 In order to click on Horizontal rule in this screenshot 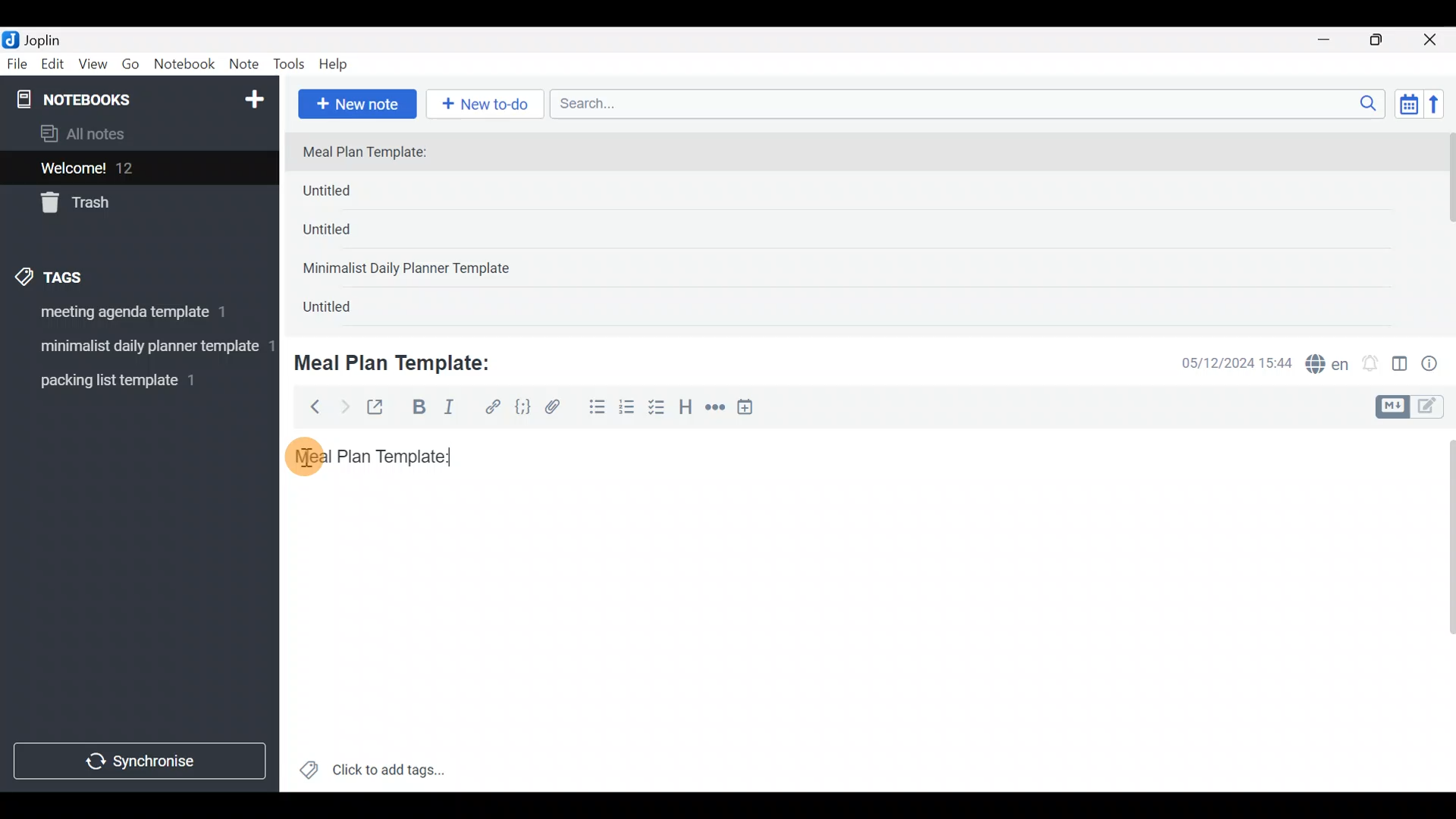, I will do `click(715, 409)`.